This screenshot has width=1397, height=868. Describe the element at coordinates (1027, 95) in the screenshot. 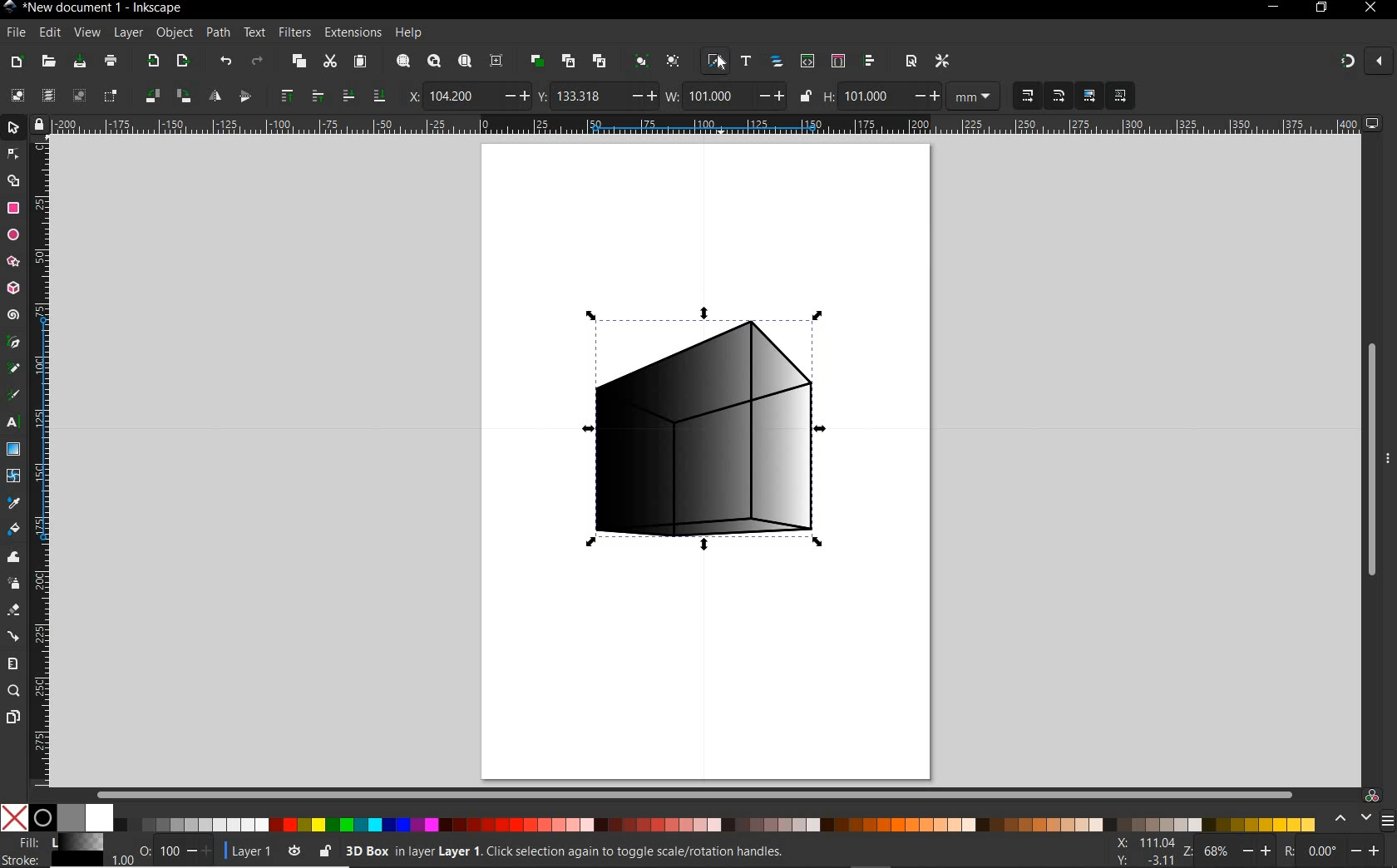

I see `SCALING` at that location.